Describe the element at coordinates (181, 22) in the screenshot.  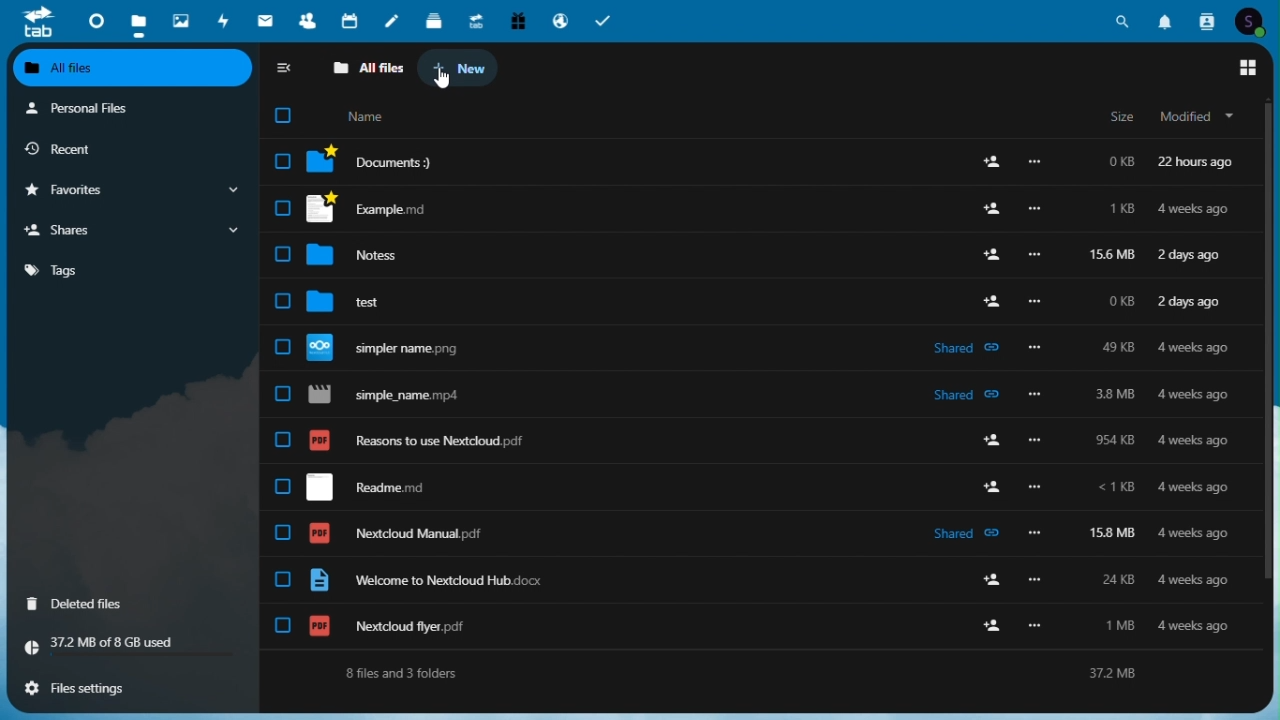
I see `Photos` at that location.